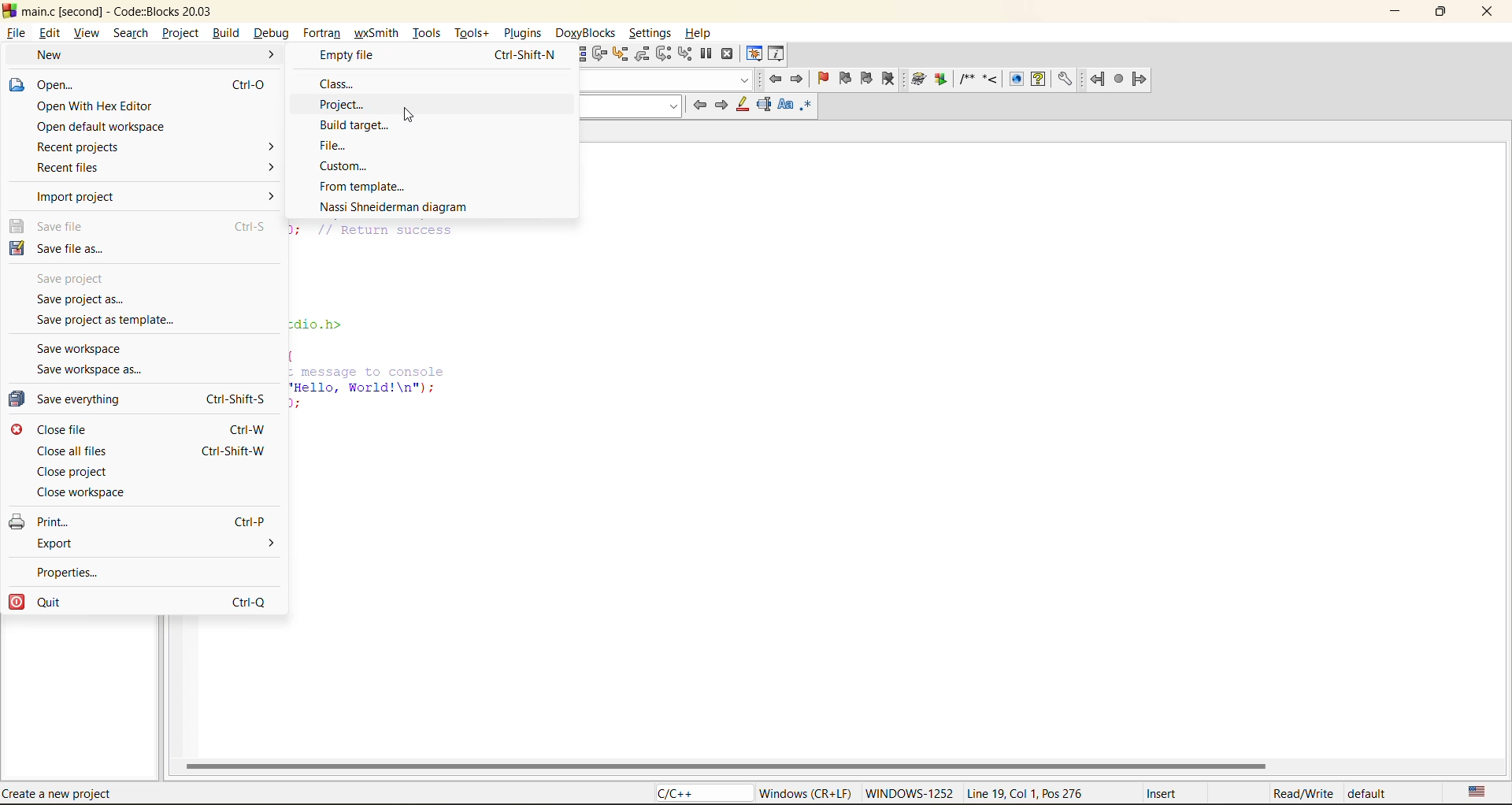 This screenshot has height=805, width=1512. What do you see at coordinates (67, 250) in the screenshot?
I see `save file as` at bounding box center [67, 250].